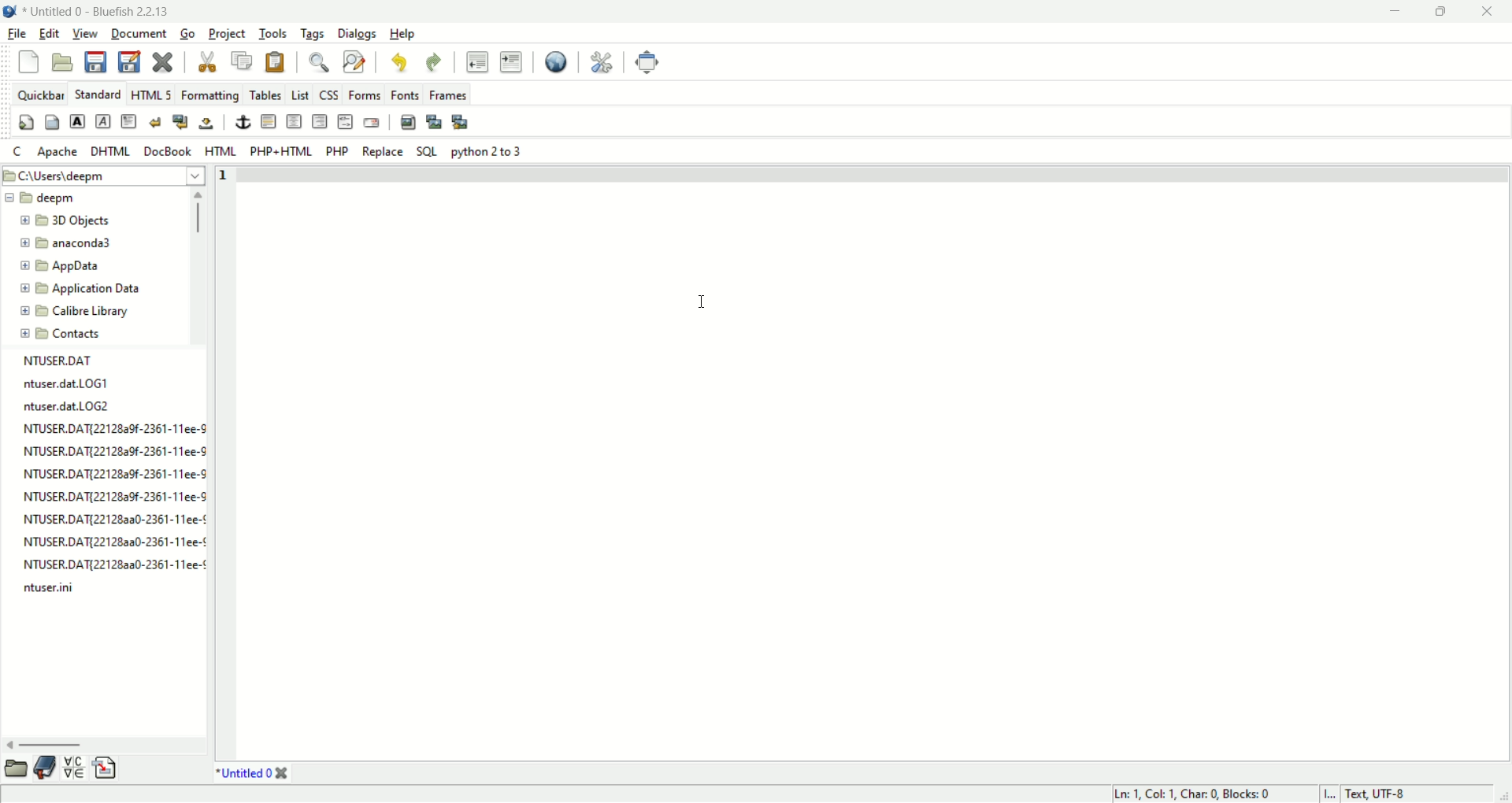 Image resolution: width=1512 pixels, height=803 pixels. What do you see at coordinates (57, 150) in the screenshot?
I see `Apache` at bounding box center [57, 150].